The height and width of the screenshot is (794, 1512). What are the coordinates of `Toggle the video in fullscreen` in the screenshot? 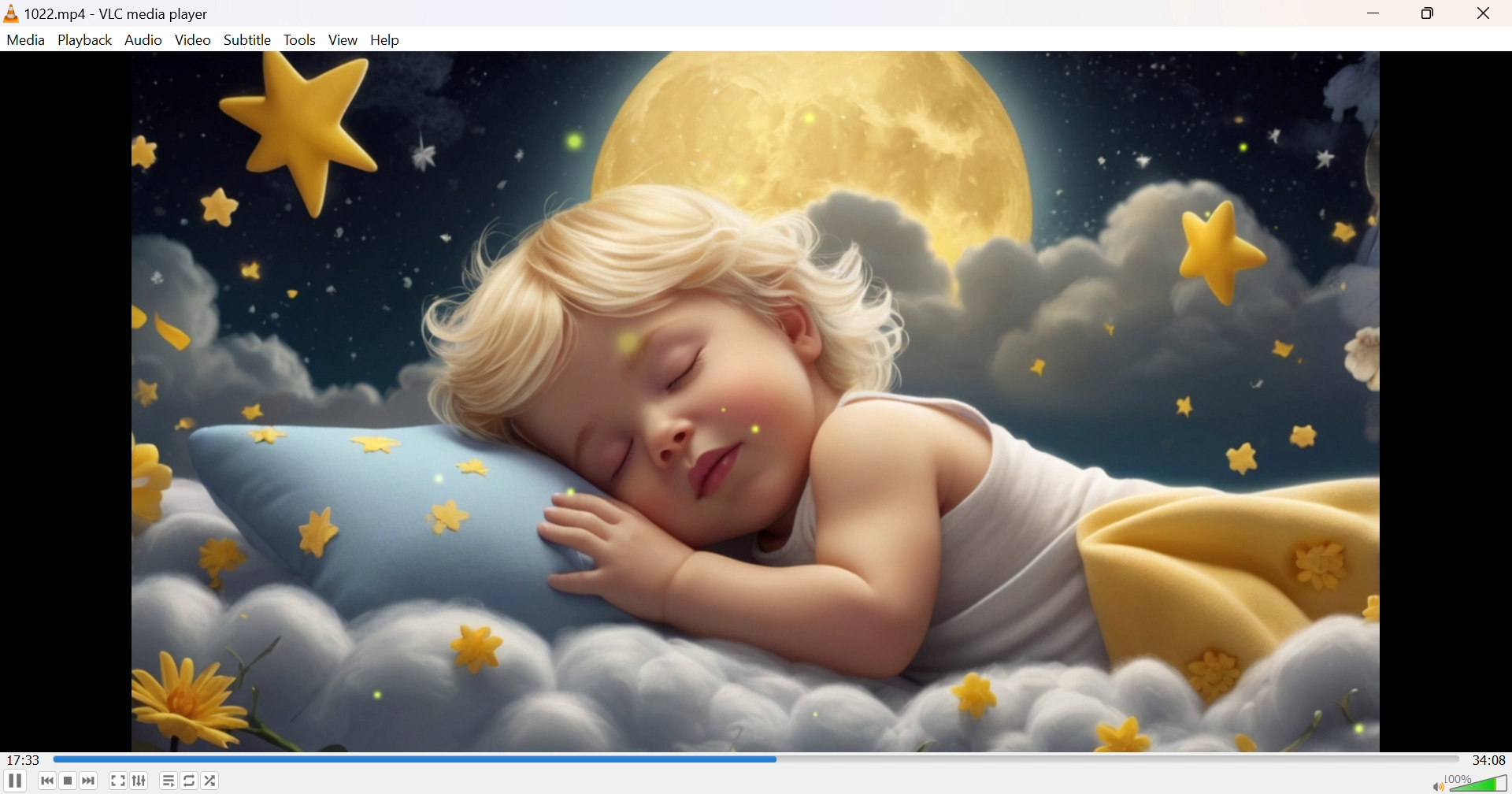 It's located at (118, 781).